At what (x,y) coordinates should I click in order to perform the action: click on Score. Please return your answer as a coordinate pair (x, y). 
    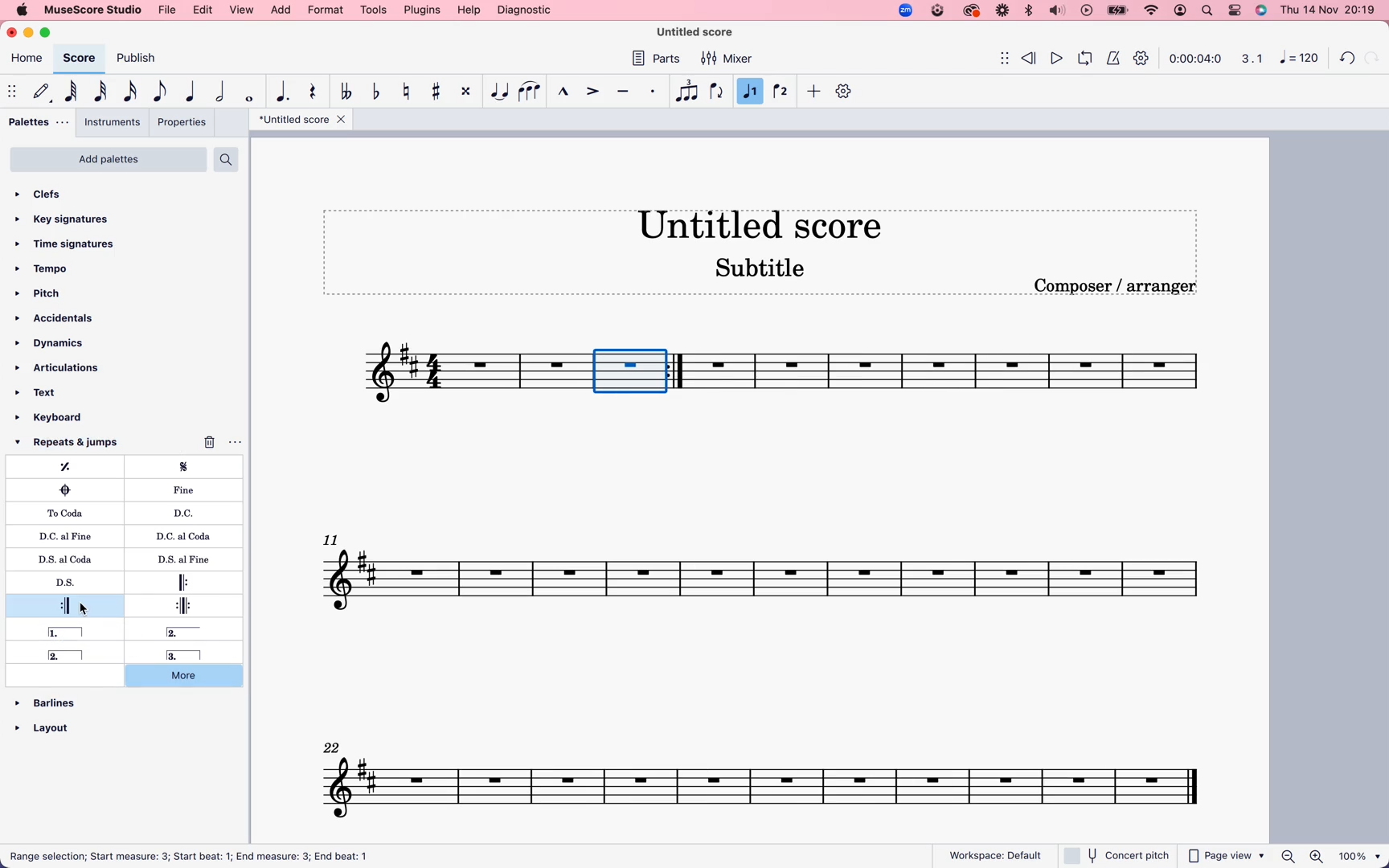
    Looking at the image, I should click on (468, 373).